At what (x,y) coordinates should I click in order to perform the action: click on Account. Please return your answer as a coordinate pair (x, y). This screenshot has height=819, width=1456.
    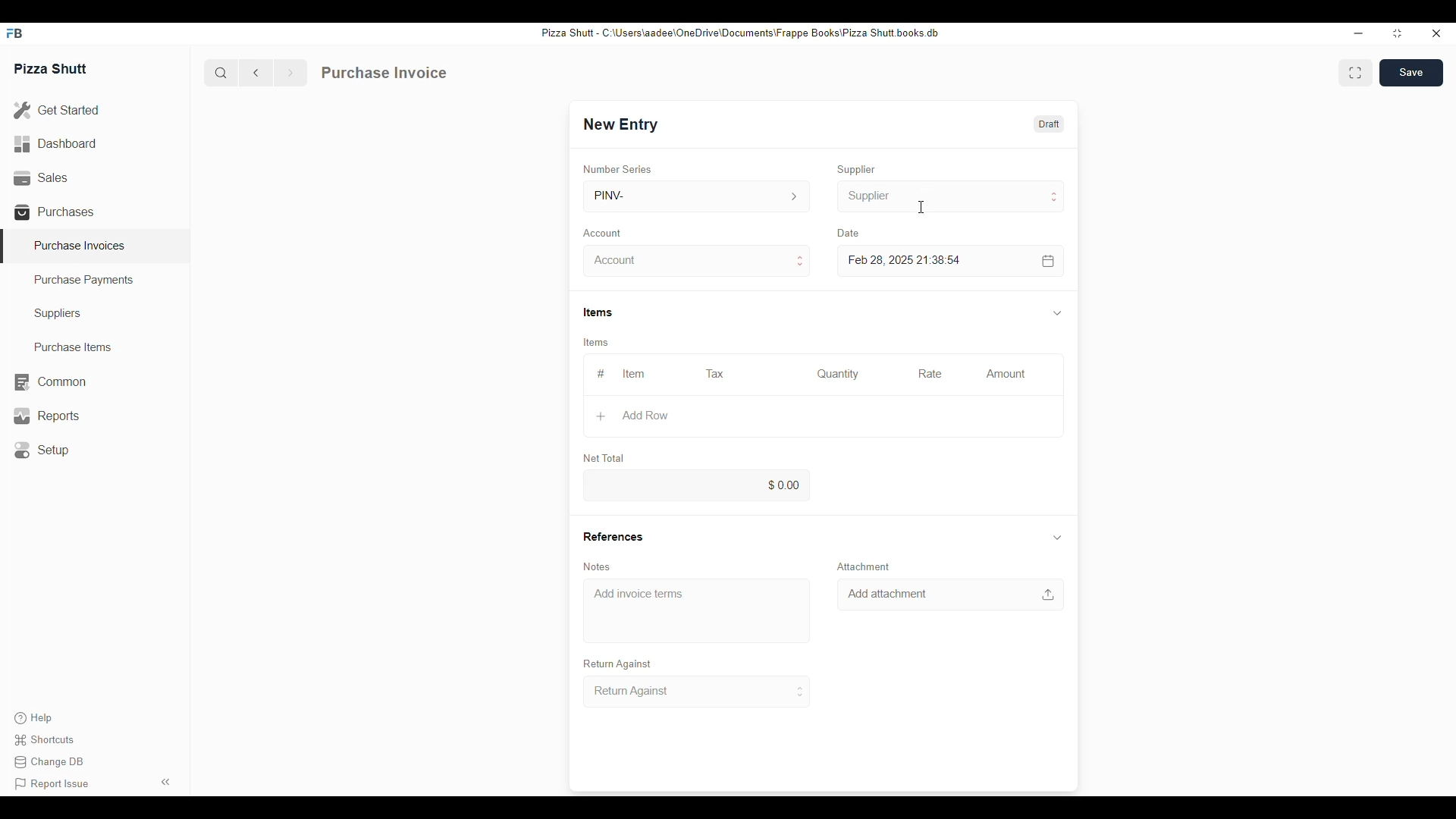
    Looking at the image, I should click on (605, 232).